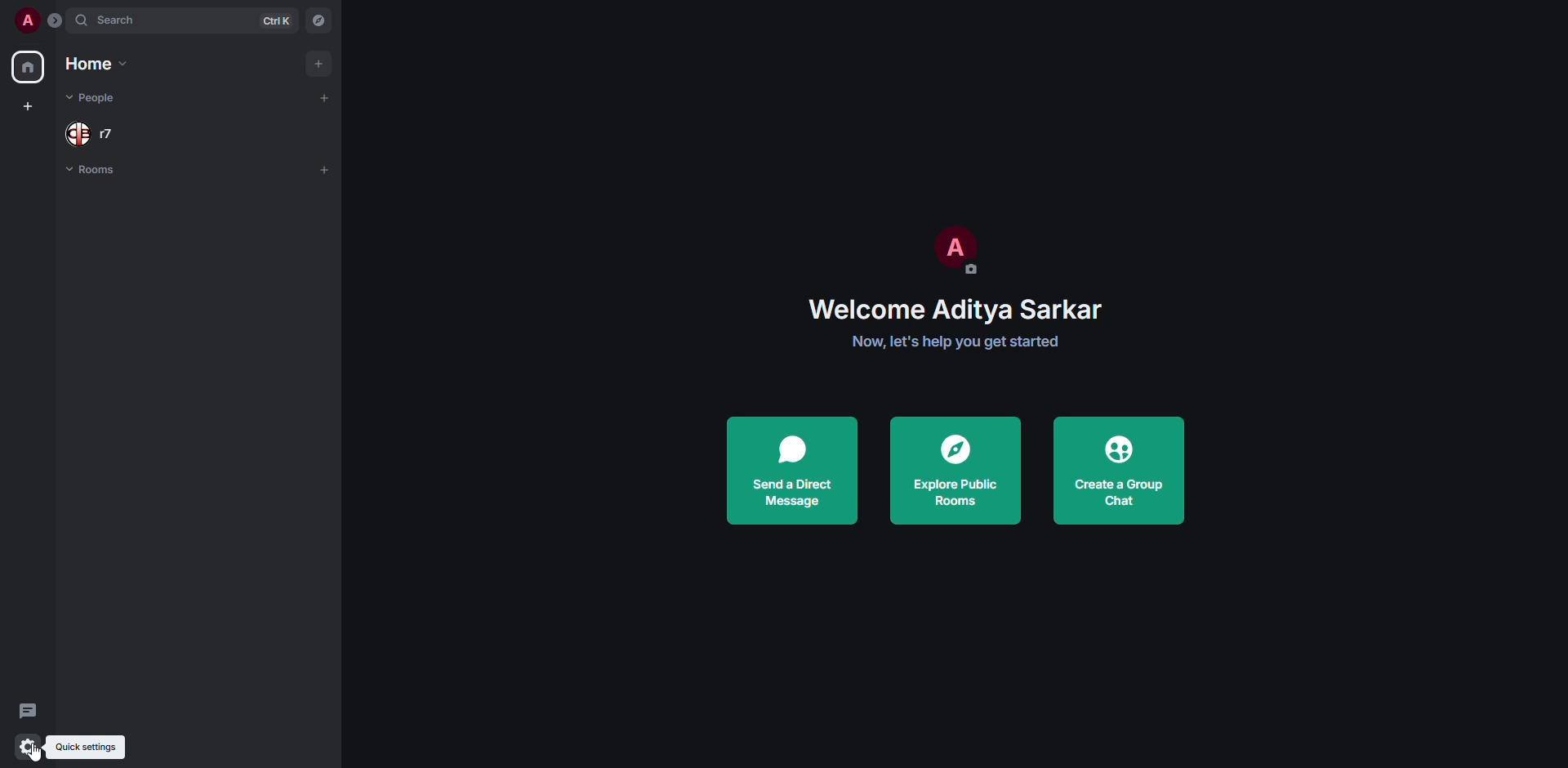  I want to click on explore public rooms, so click(956, 471).